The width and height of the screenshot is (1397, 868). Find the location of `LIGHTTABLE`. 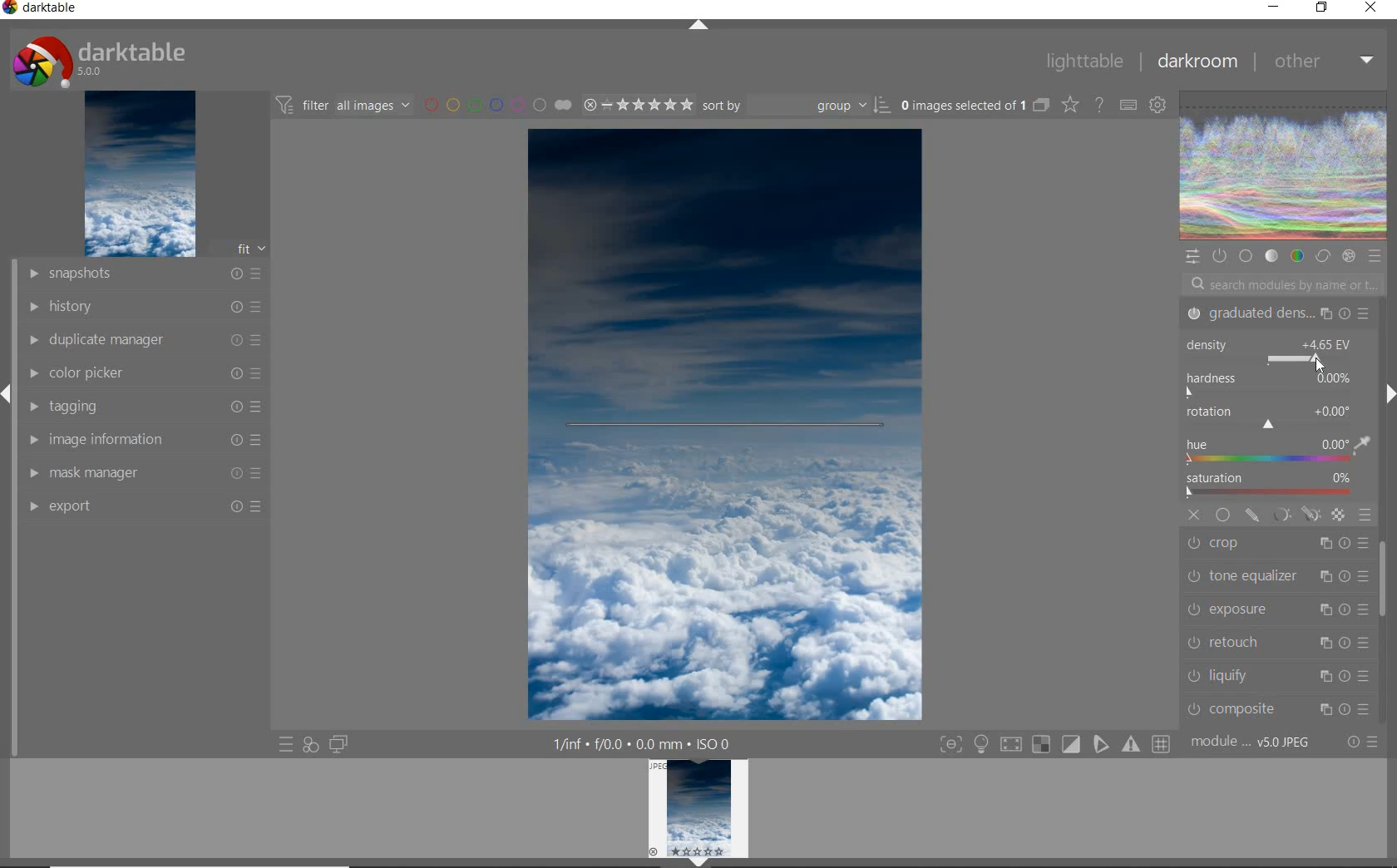

LIGHTTABLE is located at coordinates (1083, 60).